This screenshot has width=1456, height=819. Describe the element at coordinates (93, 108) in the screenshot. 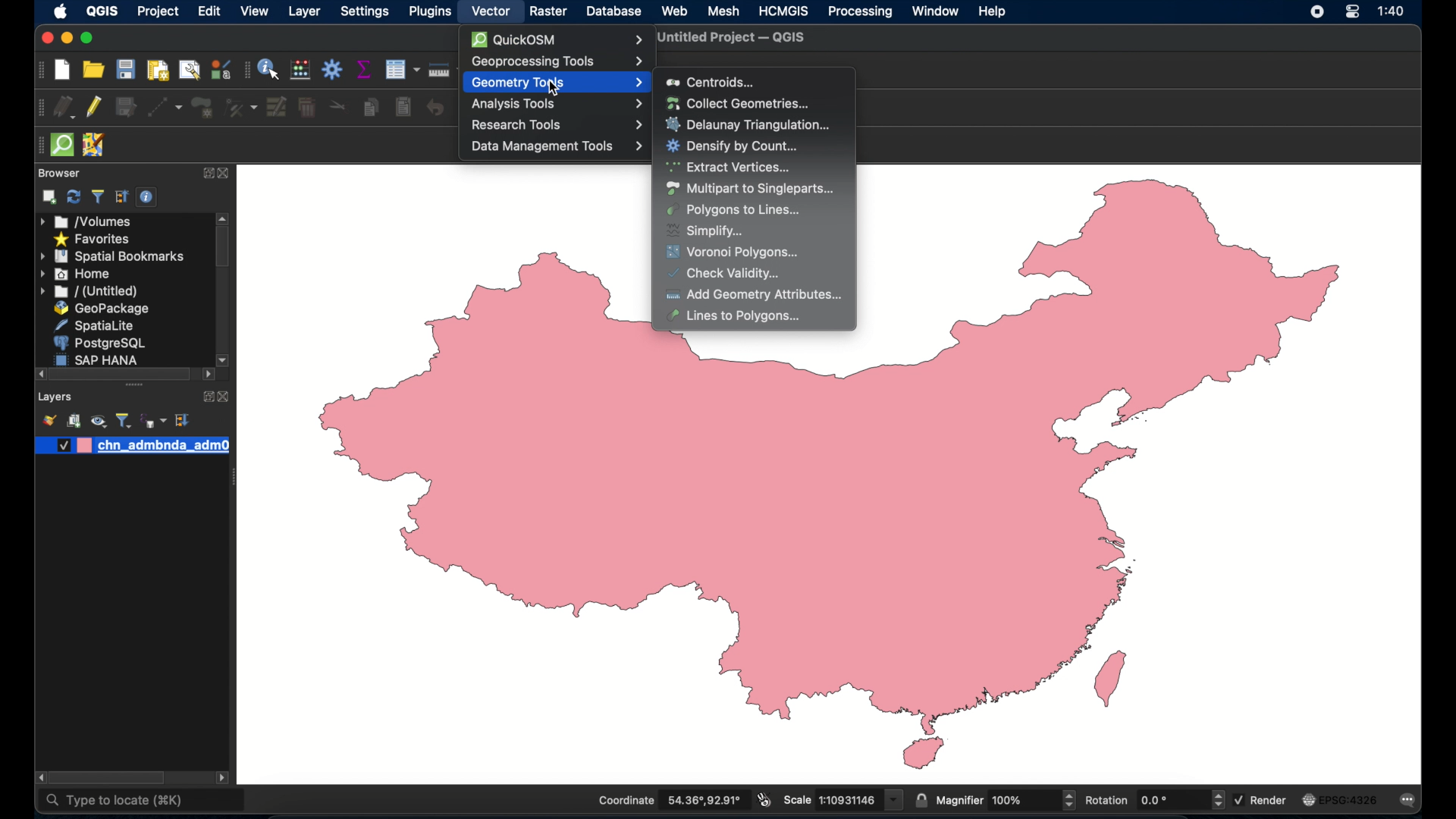

I see `toggle editing` at that location.